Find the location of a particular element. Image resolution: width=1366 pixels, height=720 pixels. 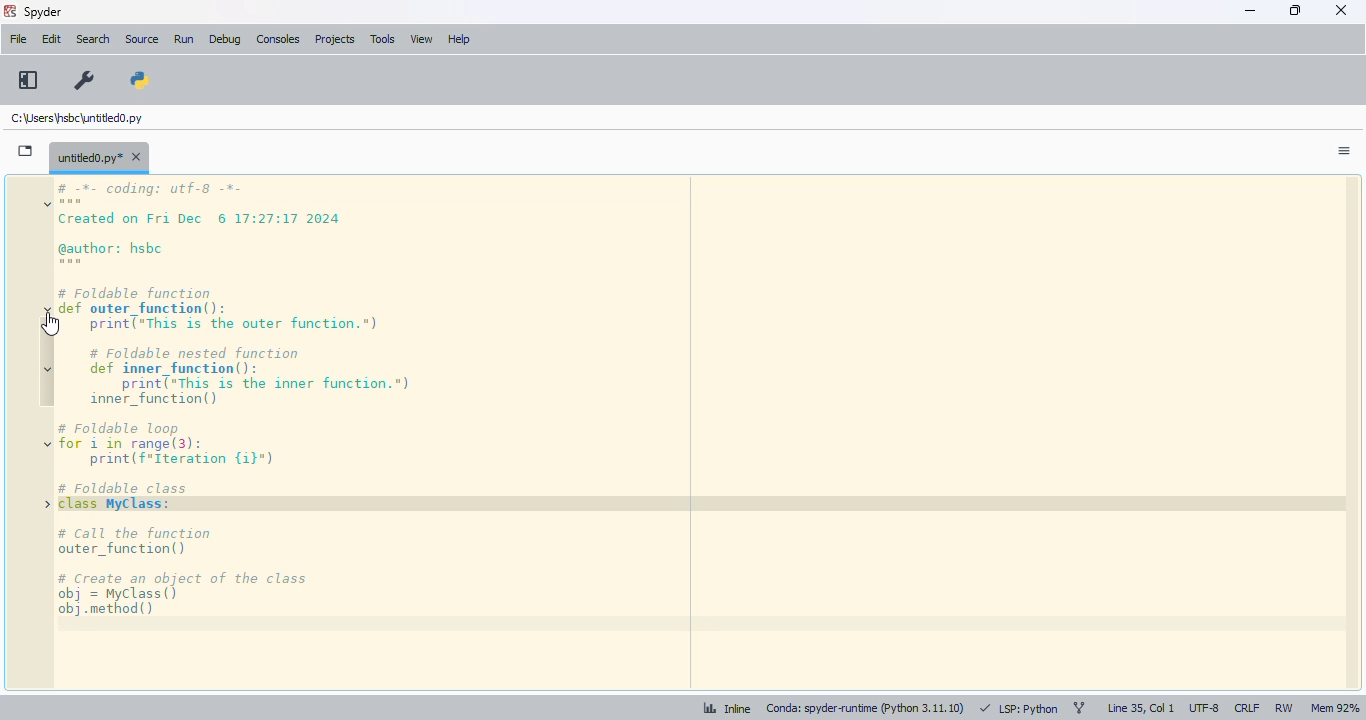

help is located at coordinates (459, 39).